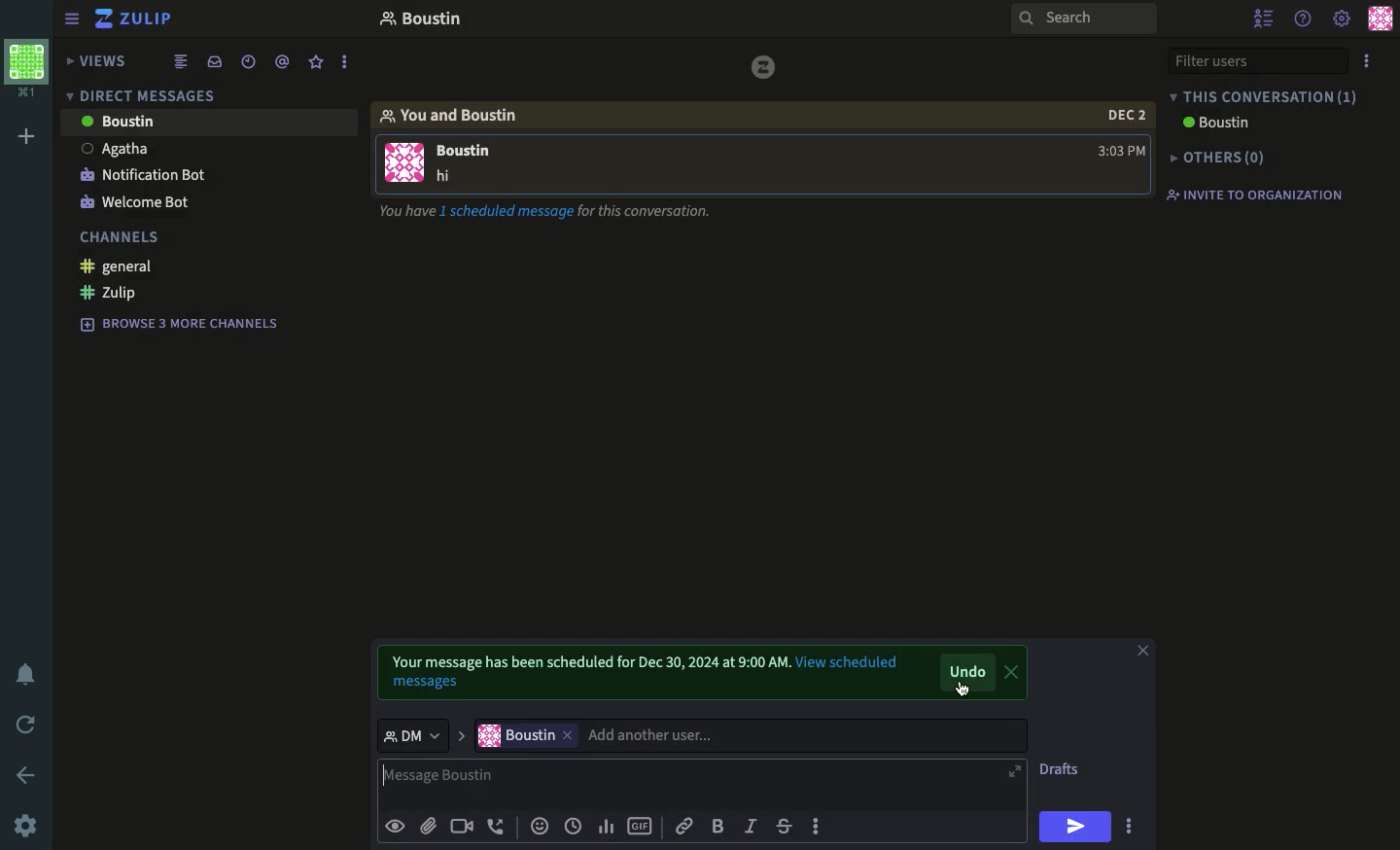 The width and height of the screenshot is (1400, 850). Describe the element at coordinates (27, 725) in the screenshot. I see `refresh` at that location.